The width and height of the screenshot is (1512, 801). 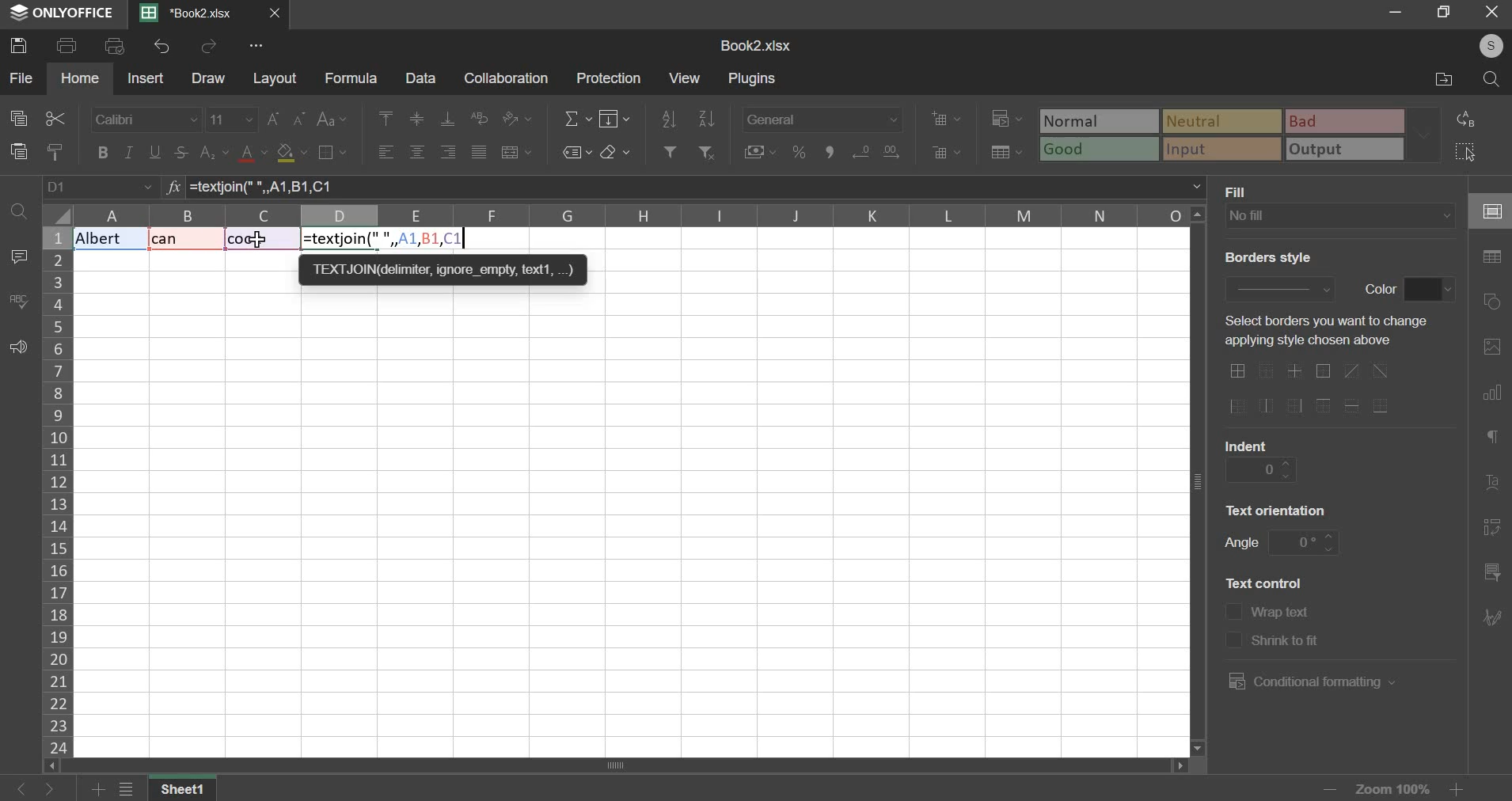 I want to click on border color, so click(x=1430, y=290).